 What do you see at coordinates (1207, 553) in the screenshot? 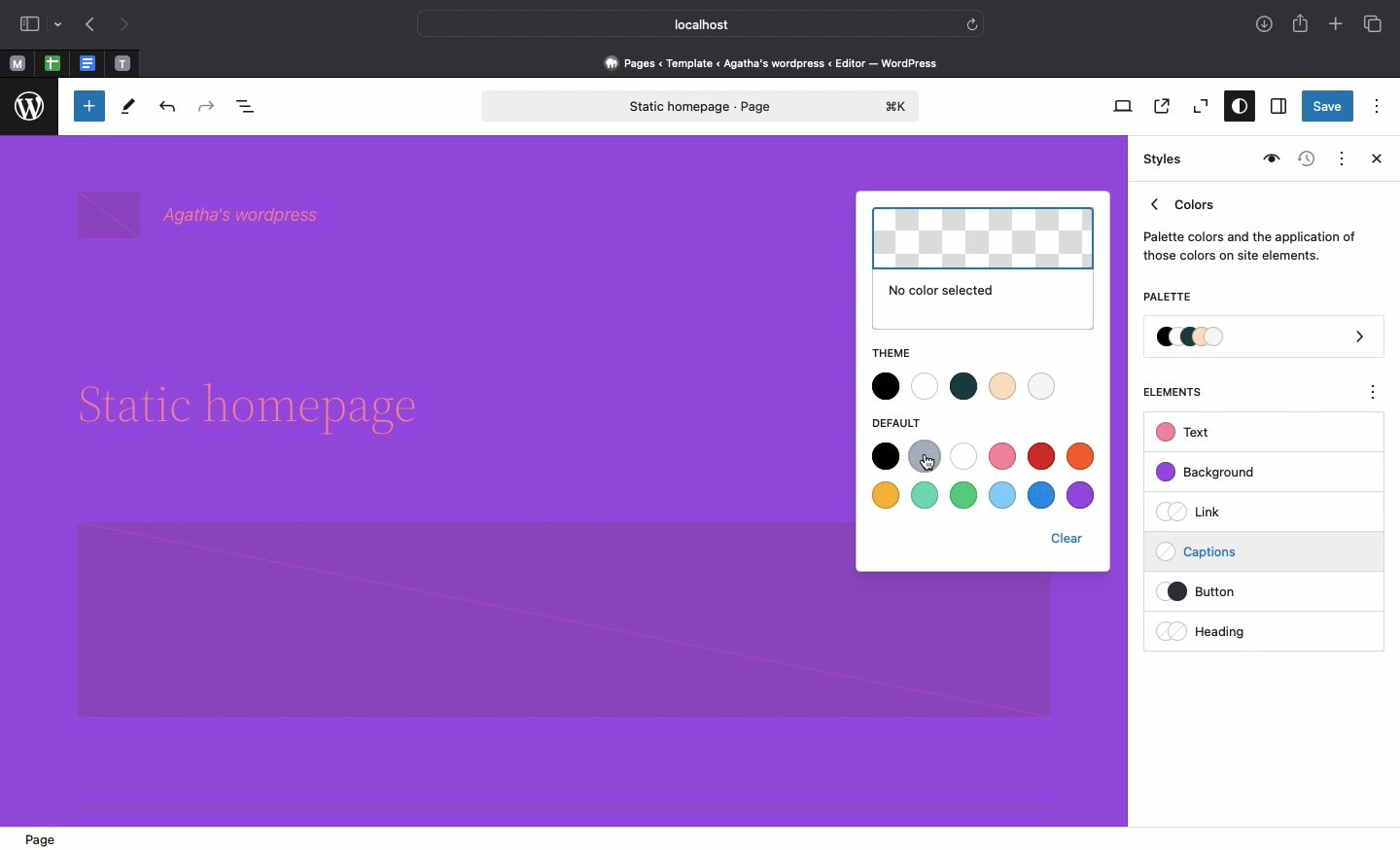
I see `Captions` at bounding box center [1207, 553].